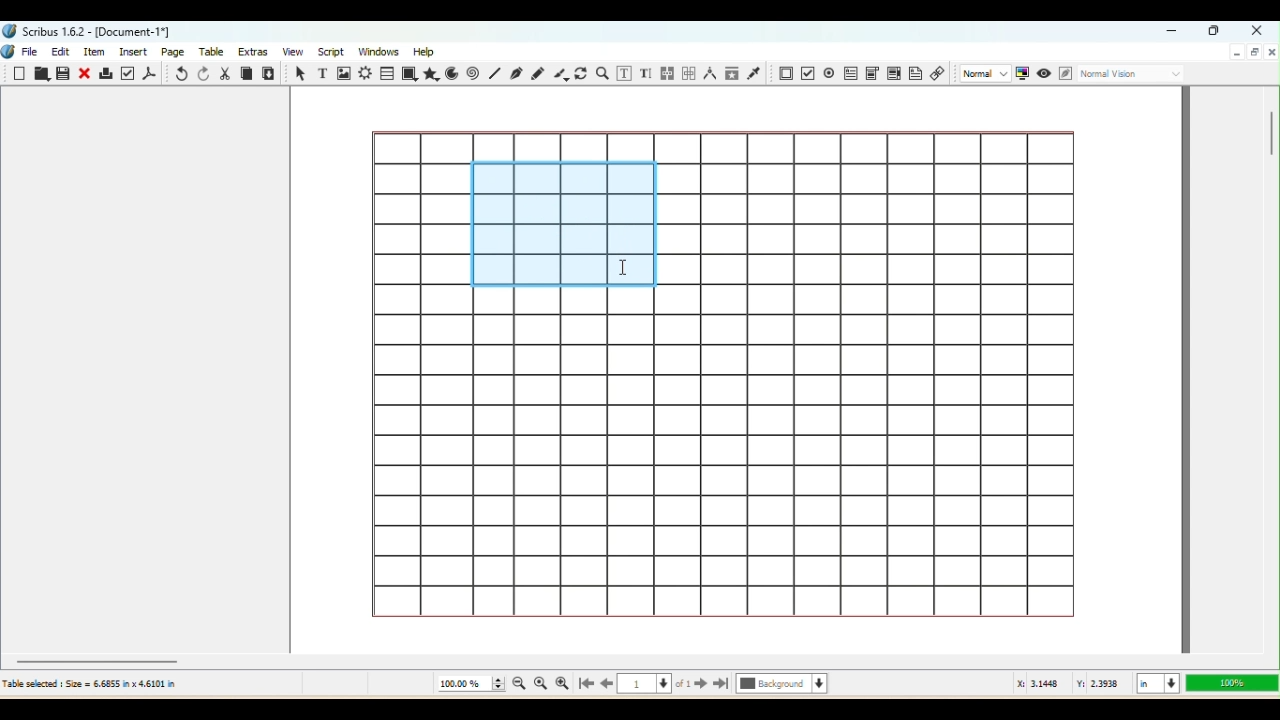 The height and width of the screenshot is (720, 1280). What do you see at coordinates (871, 71) in the screenshot?
I see `PDF combo box` at bounding box center [871, 71].